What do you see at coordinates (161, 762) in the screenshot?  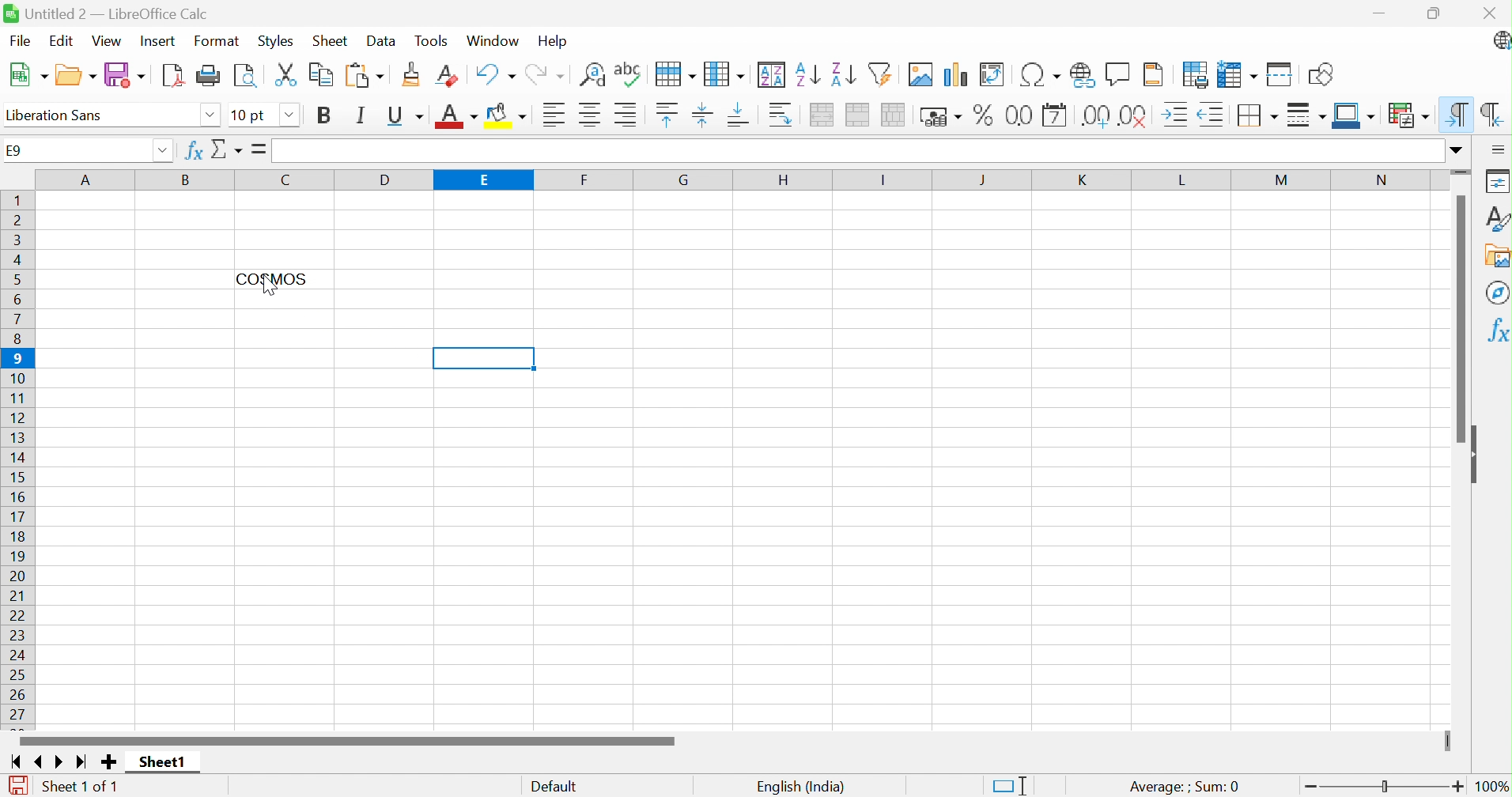 I see `Sheet1` at bounding box center [161, 762].